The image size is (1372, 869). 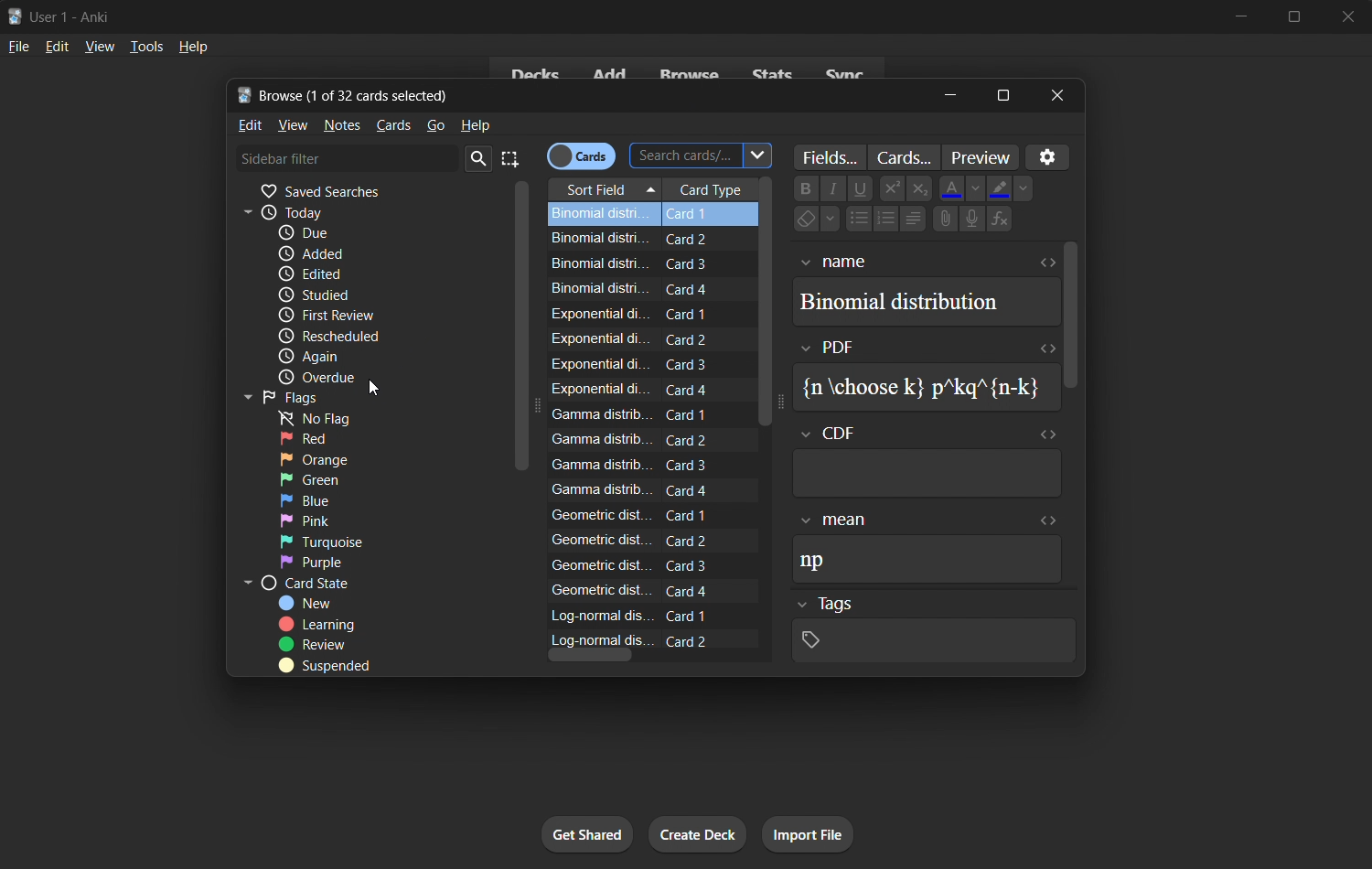 What do you see at coordinates (1295, 16) in the screenshot?
I see `maximize/restore` at bounding box center [1295, 16].